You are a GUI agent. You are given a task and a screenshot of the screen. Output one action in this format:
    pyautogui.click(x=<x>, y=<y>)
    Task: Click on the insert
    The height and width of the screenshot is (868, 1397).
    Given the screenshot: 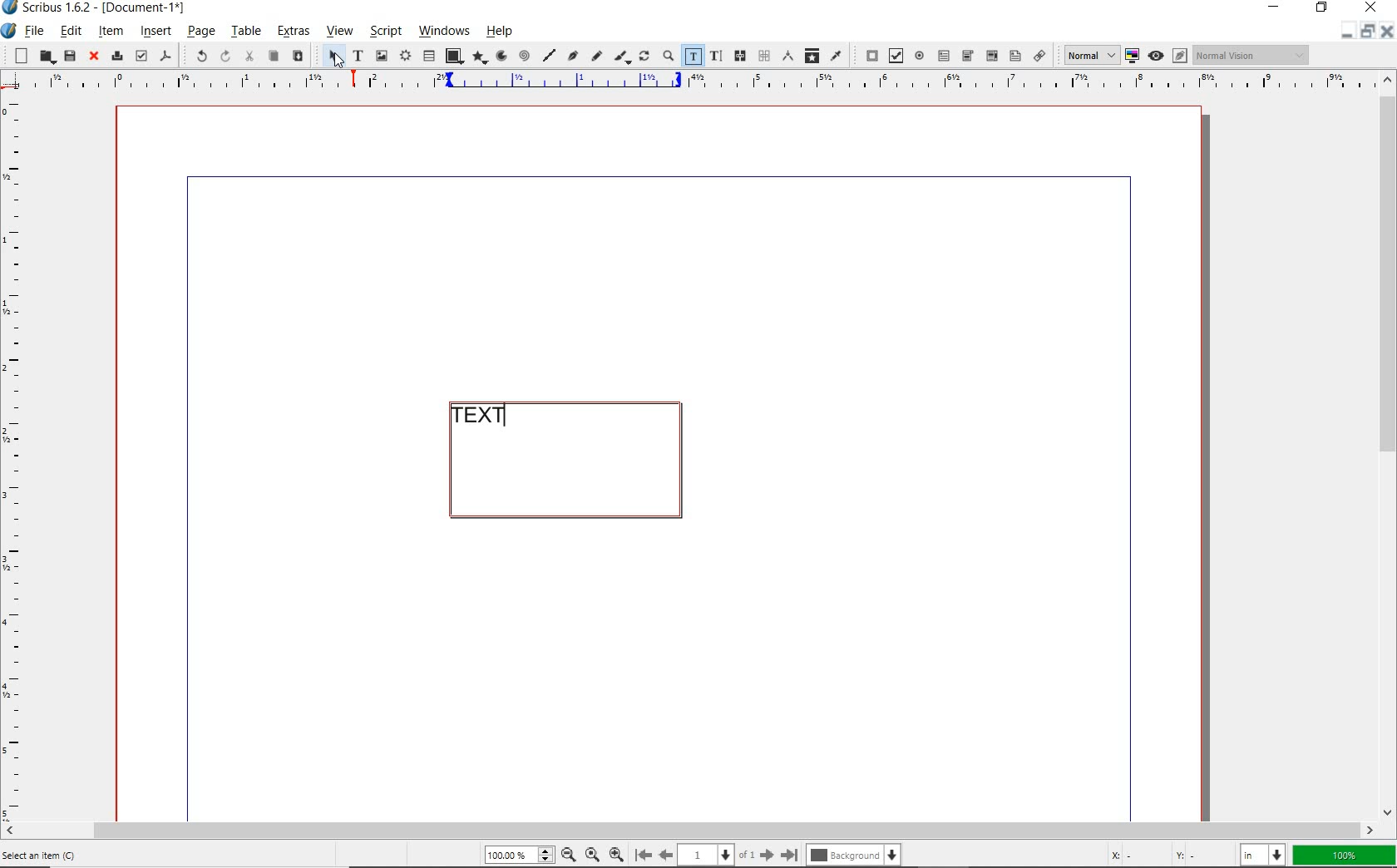 What is the action you would take?
    pyautogui.click(x=154, y=31)
    